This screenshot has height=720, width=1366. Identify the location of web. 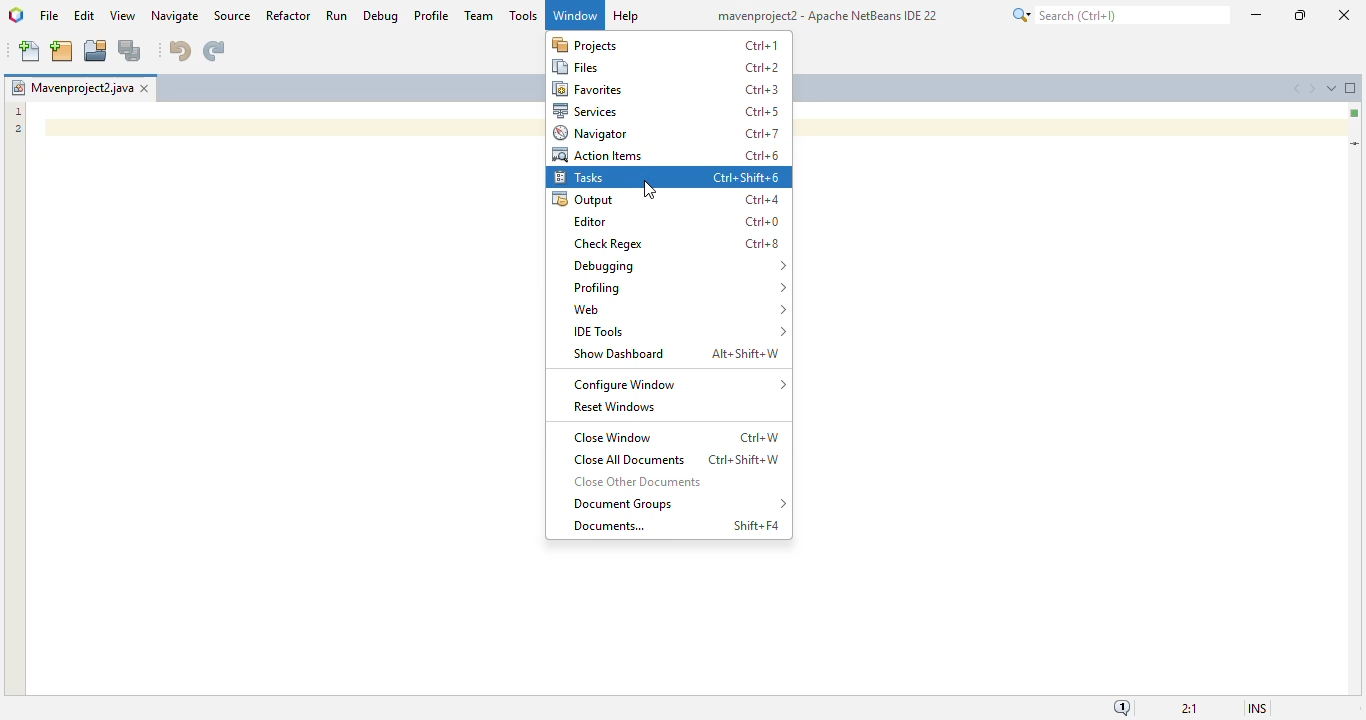
(680, 309).